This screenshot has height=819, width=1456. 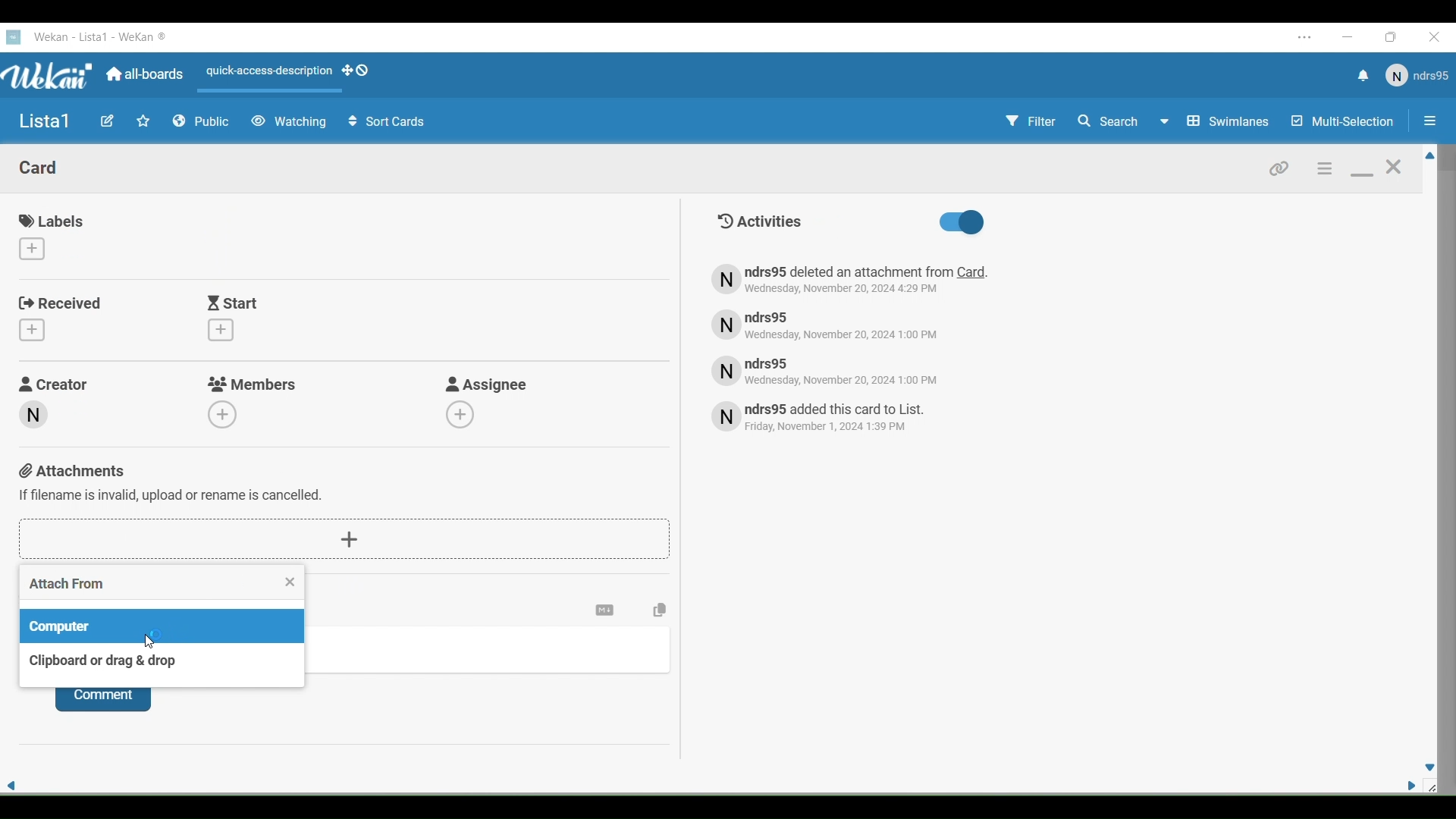 I want to click on Text, so click(x=840, y=370).